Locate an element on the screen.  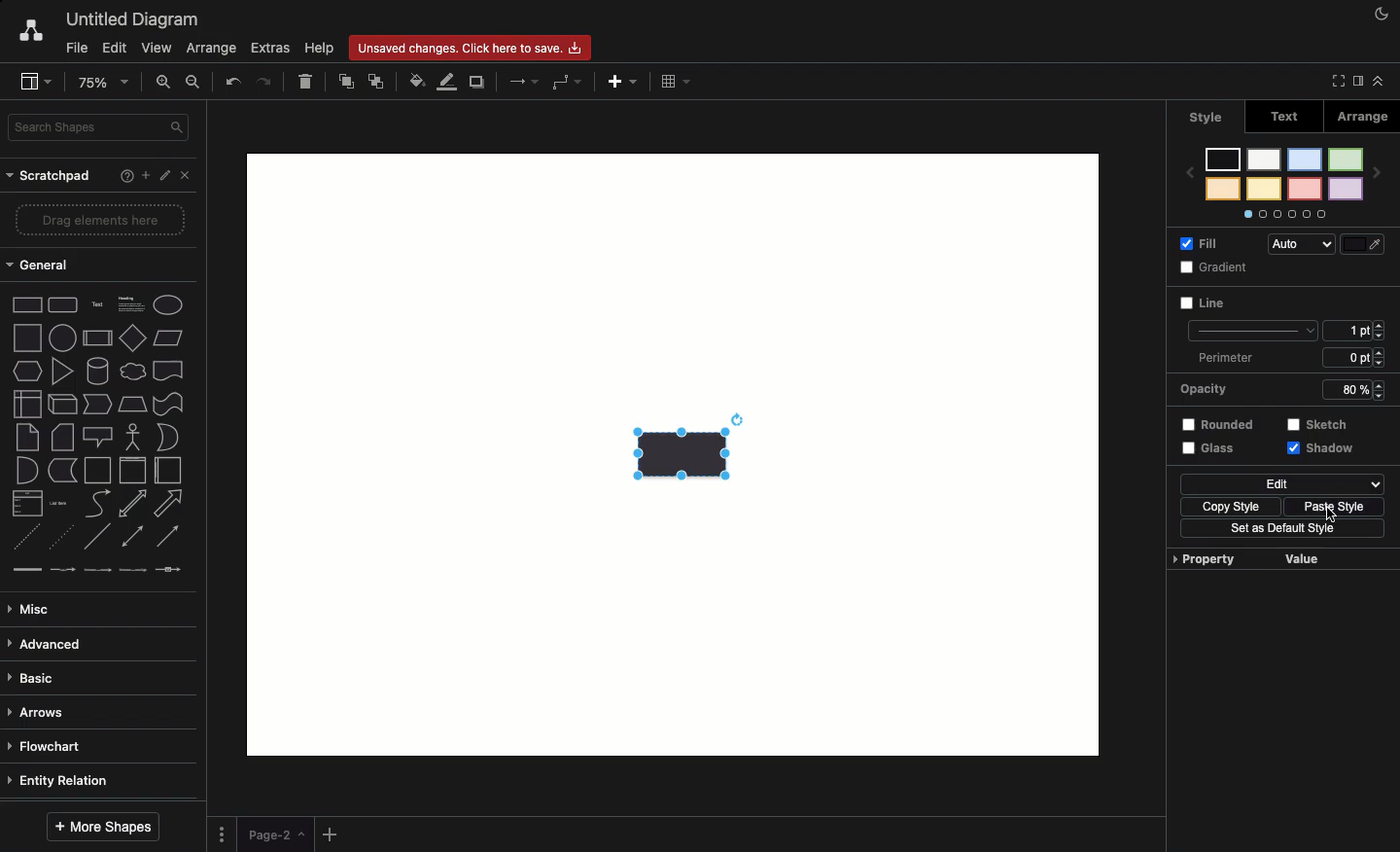
document  is located at coordinates (168, 371).